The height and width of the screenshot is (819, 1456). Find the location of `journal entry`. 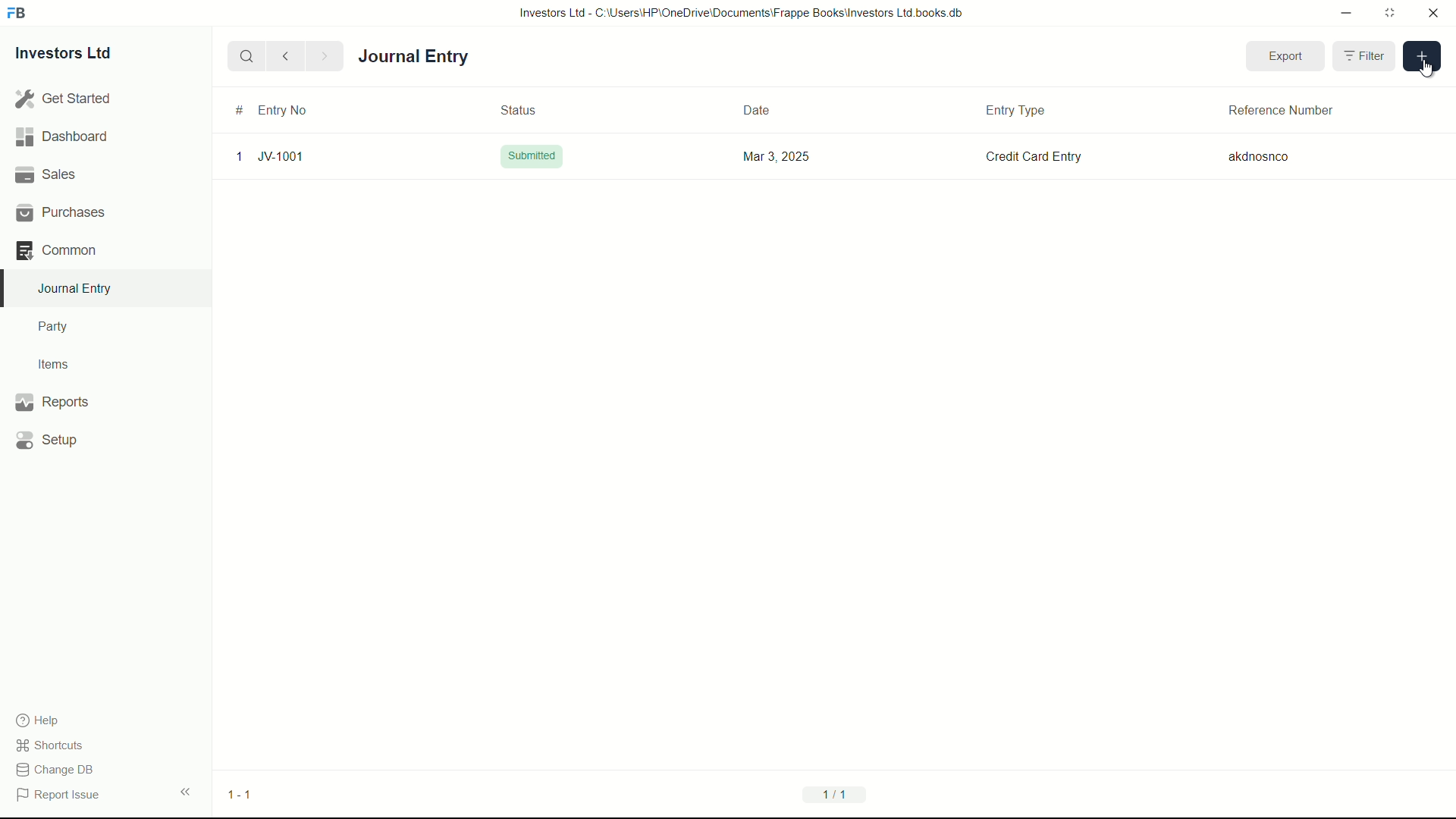

journal entry is located at coordinates (457, 57).